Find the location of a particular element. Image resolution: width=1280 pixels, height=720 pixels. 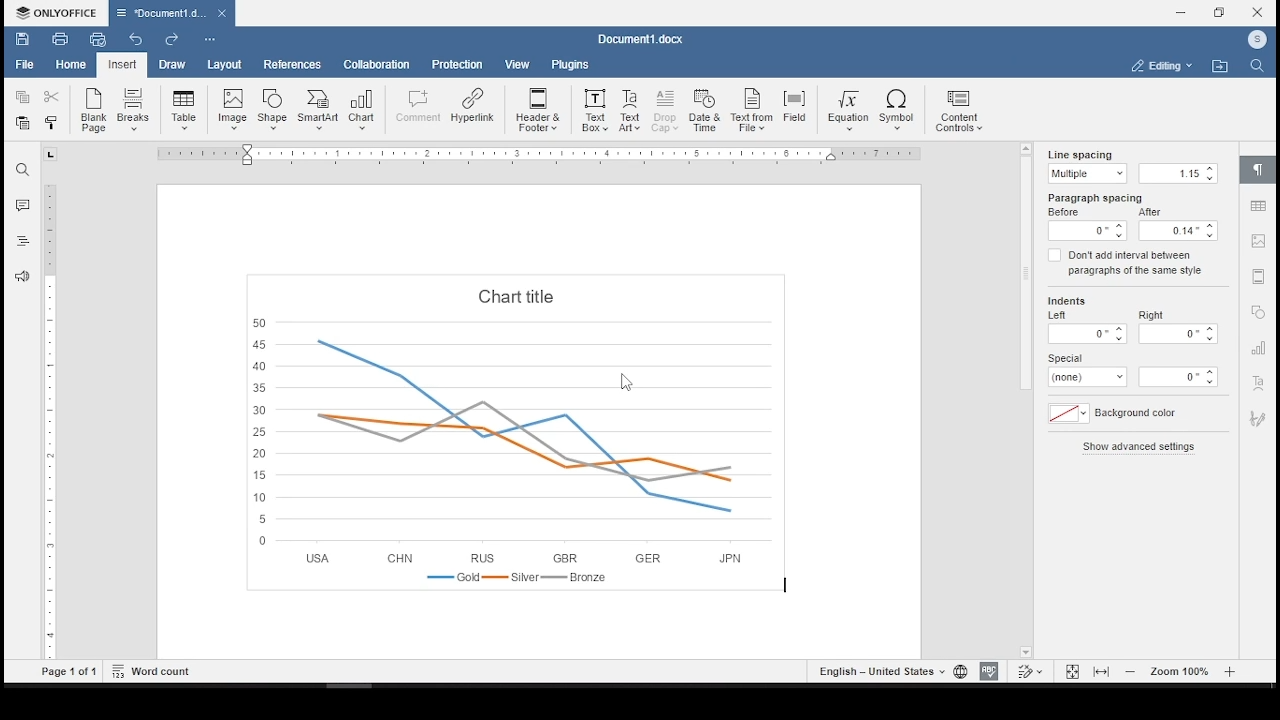

paste is located at coordinates (24, 124).